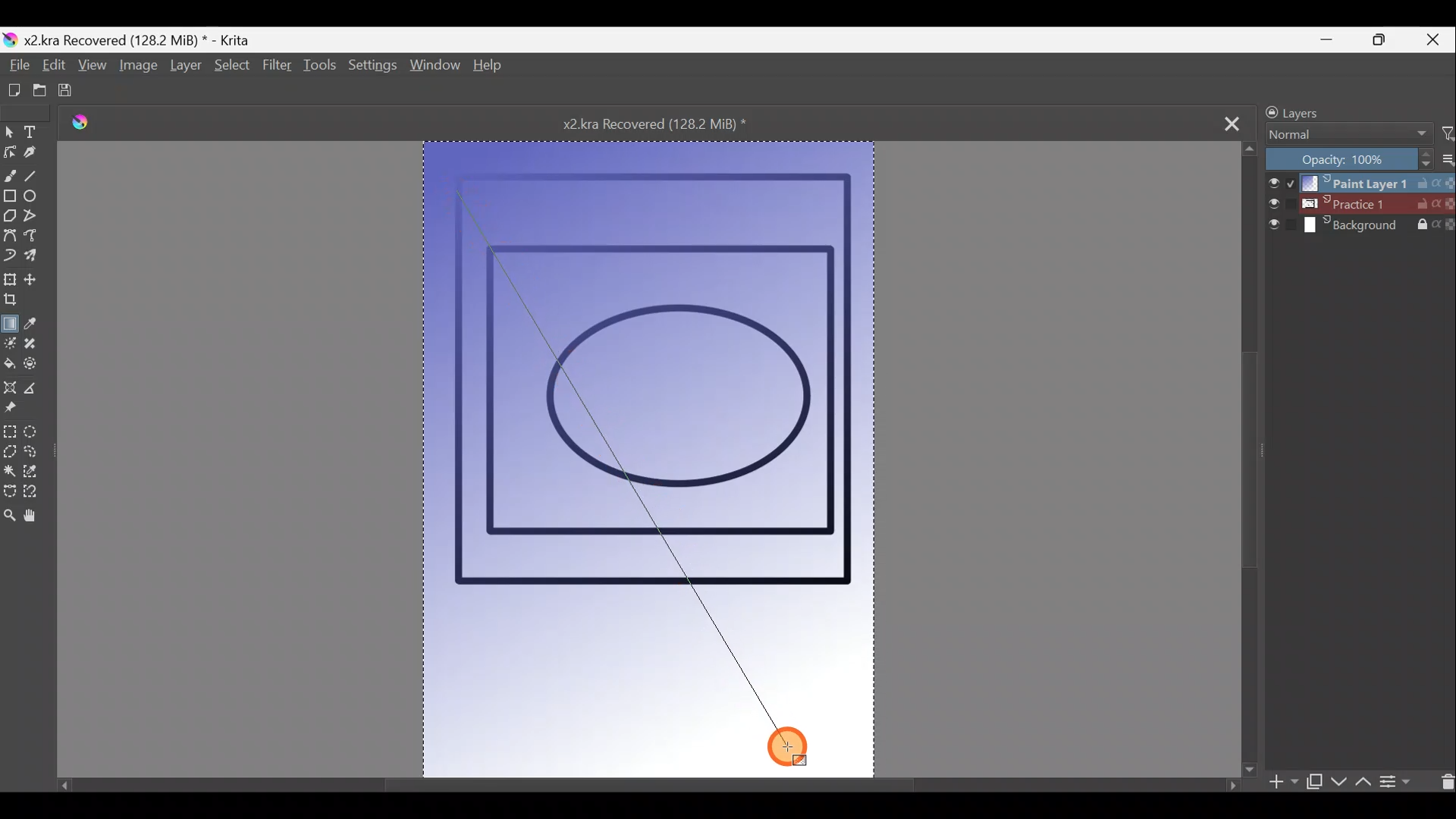 This screenshot has height=819, width=1456. Describe the element at coordinates (10, 237) in the screenshot. I see `Bezier curve tool` at that location.